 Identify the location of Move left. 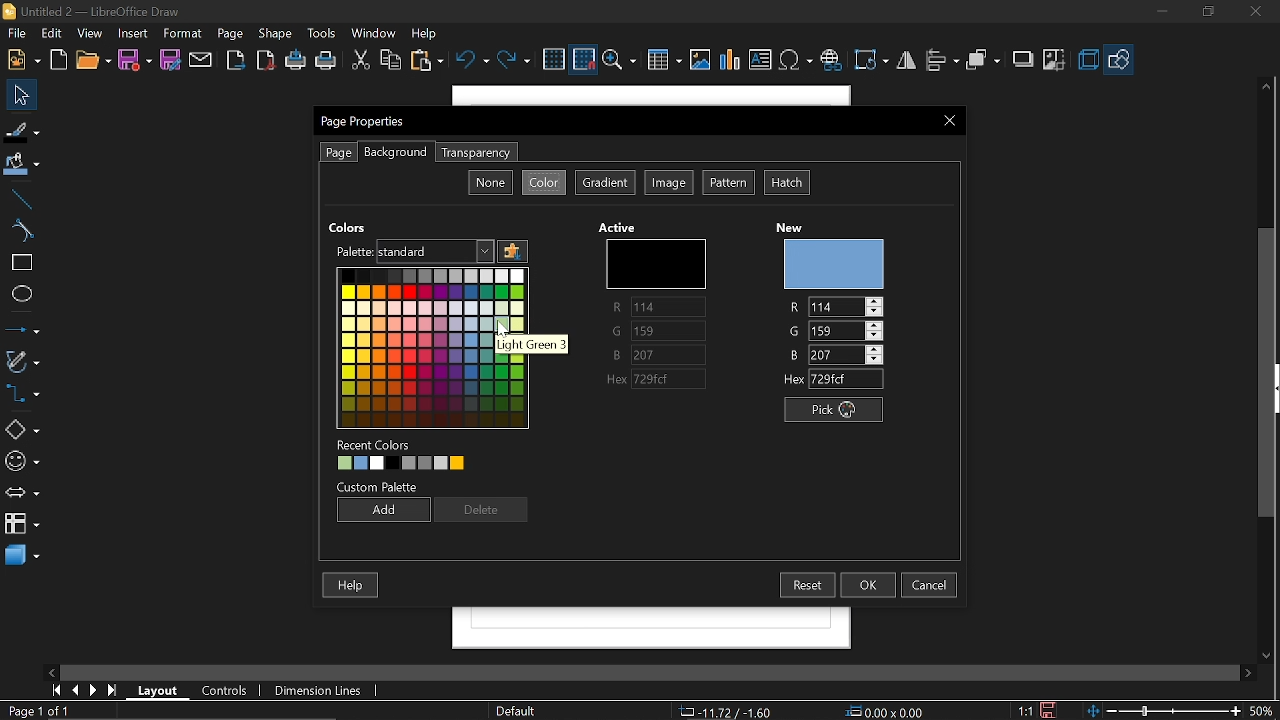
(49, 671).